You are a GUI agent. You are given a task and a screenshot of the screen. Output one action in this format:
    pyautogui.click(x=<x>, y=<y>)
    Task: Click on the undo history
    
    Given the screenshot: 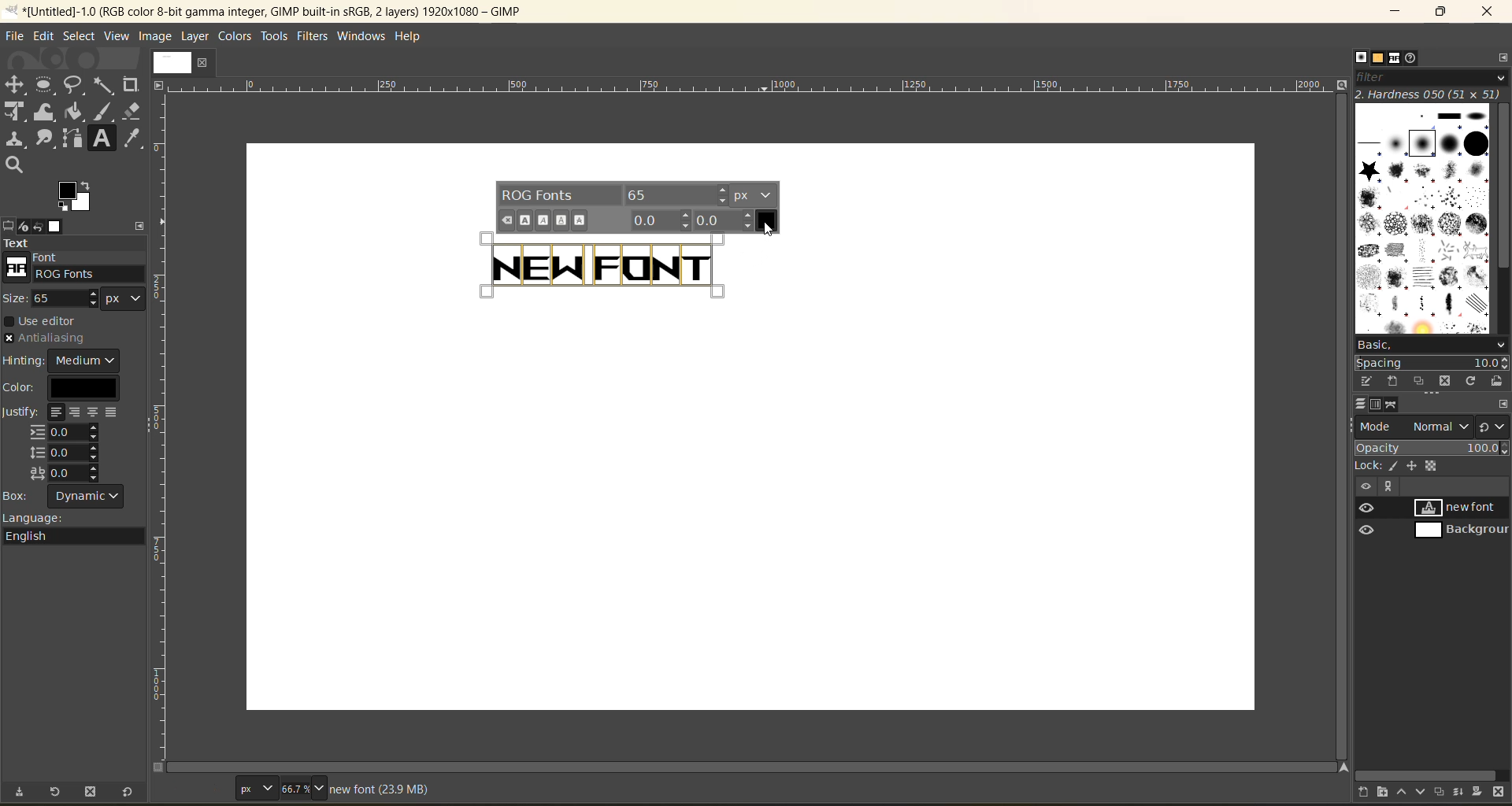 What is the action you would take?
    pyautogui.click(x=36, y=224)
    